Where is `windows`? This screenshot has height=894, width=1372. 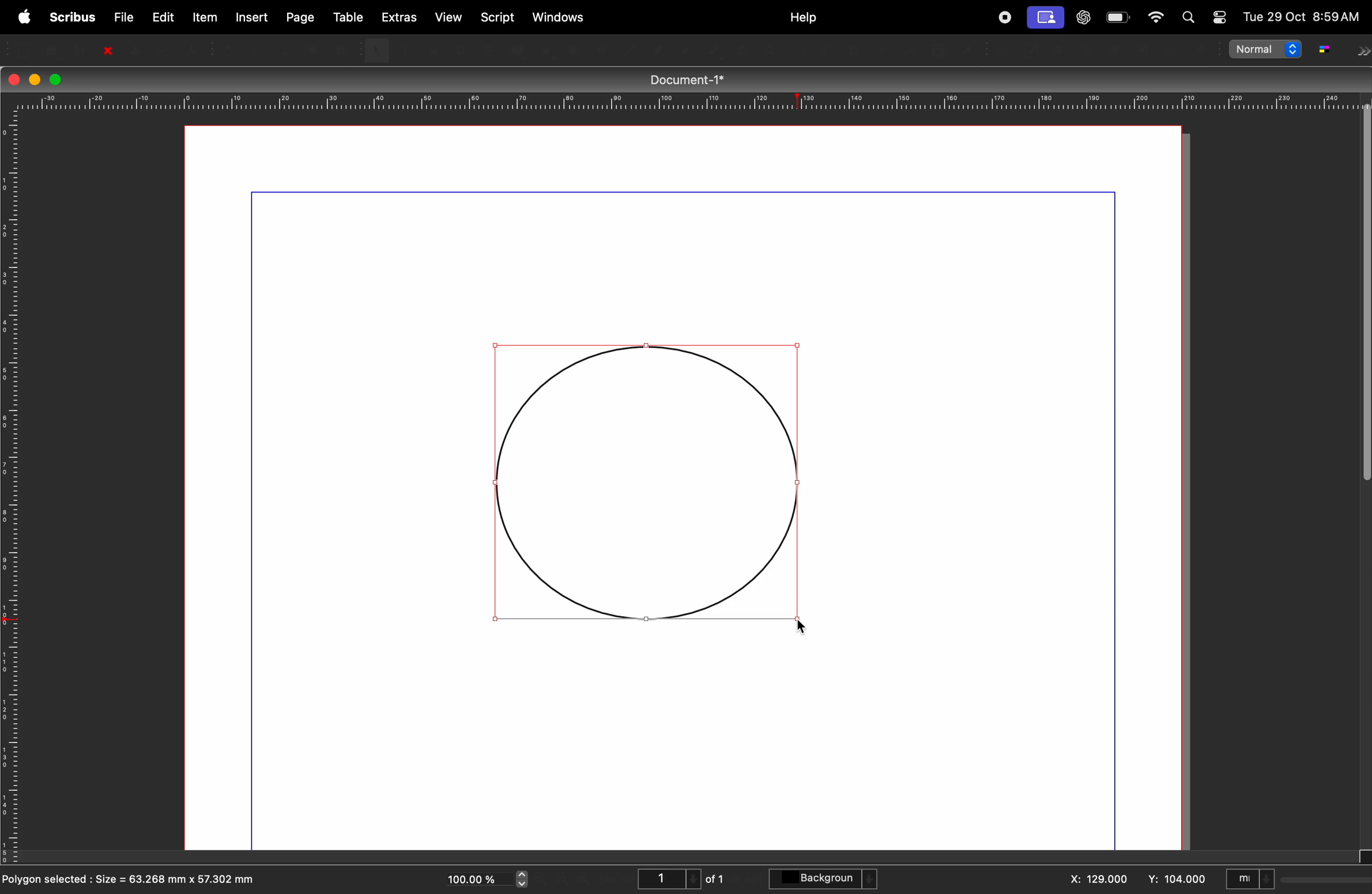
windows is located at coordinates (560, 16).